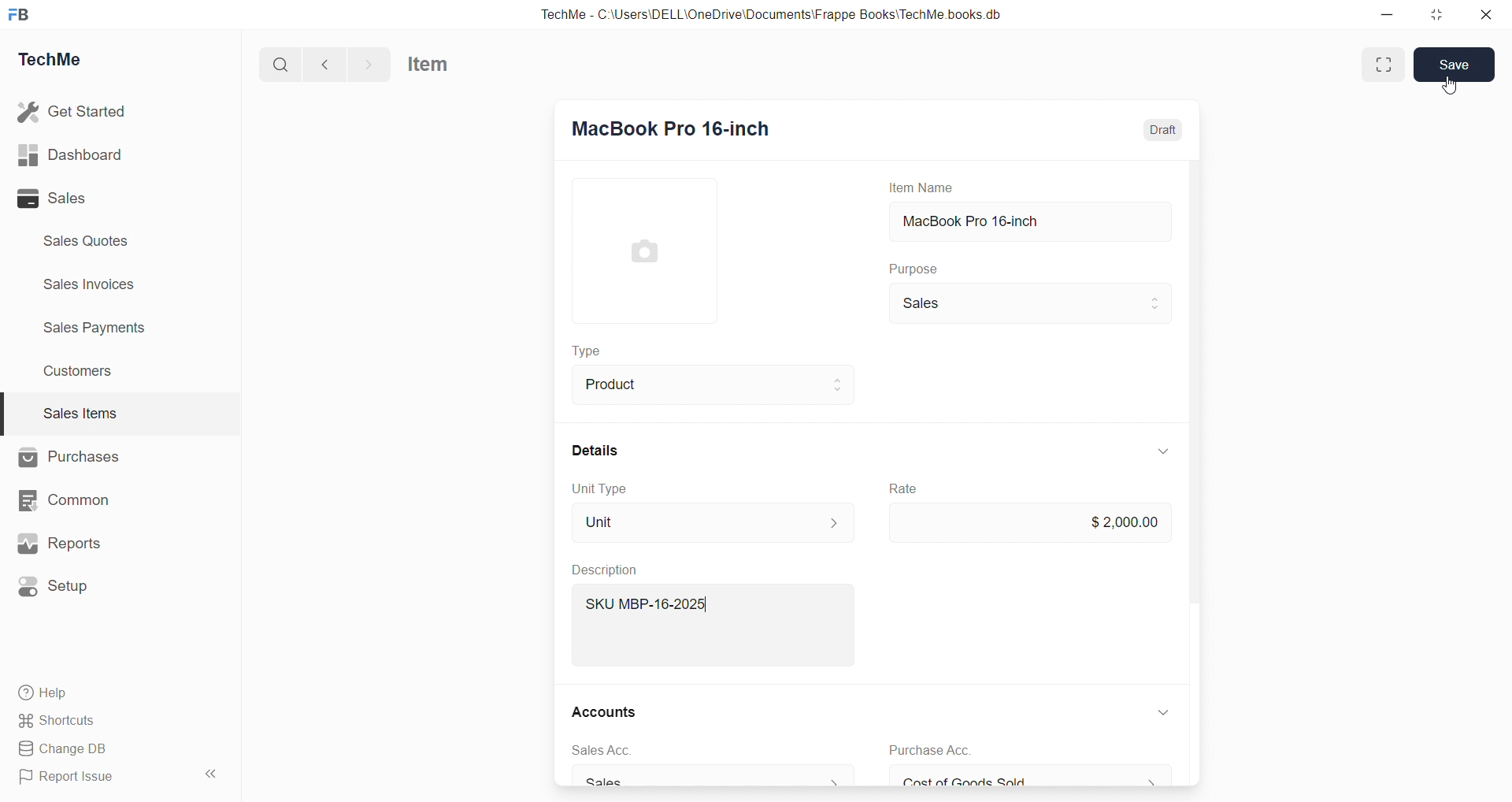  I want to click on forward, so click(369, 64).